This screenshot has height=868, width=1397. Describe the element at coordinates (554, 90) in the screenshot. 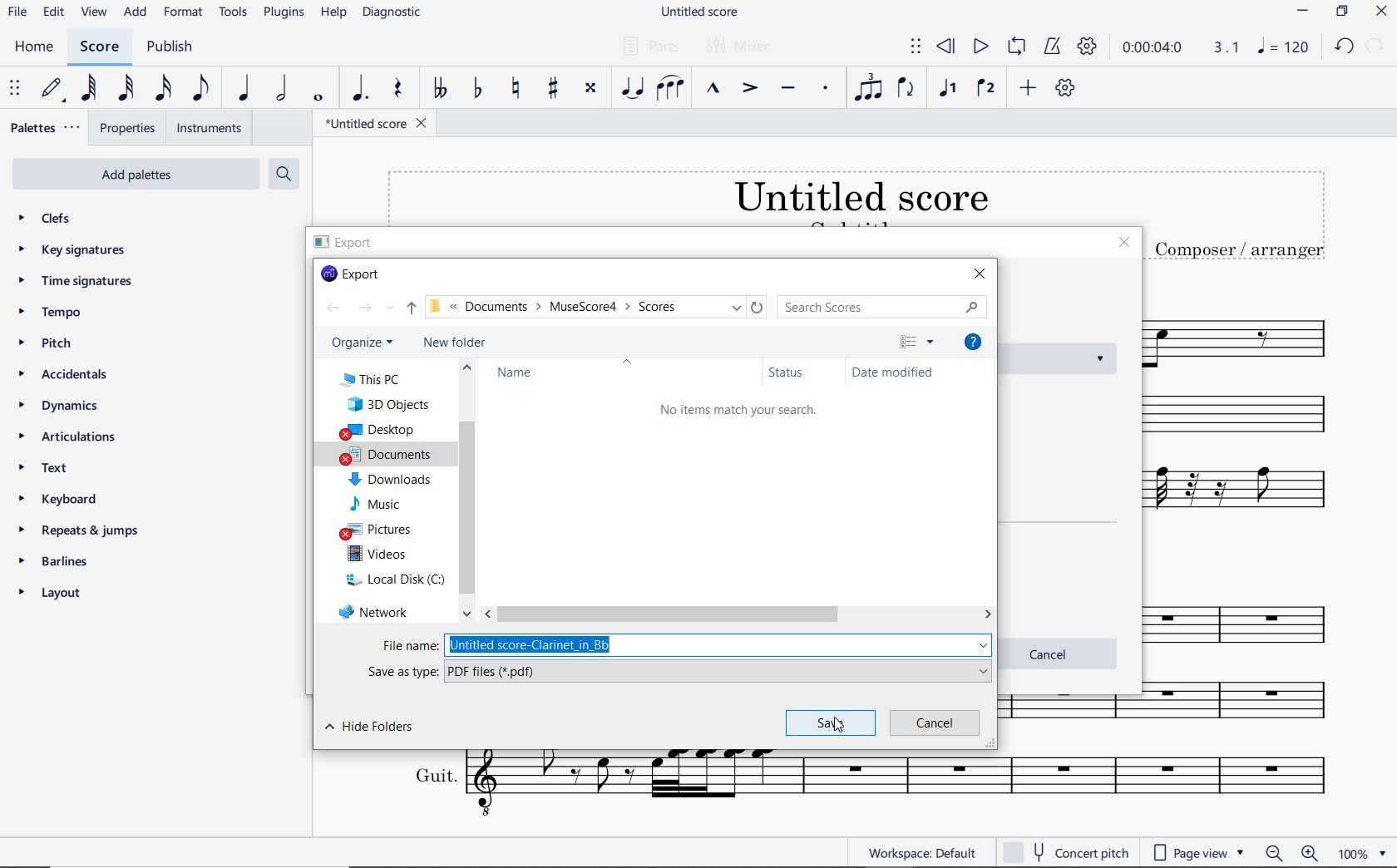

I see `TOGGLE SHARP` at that location.